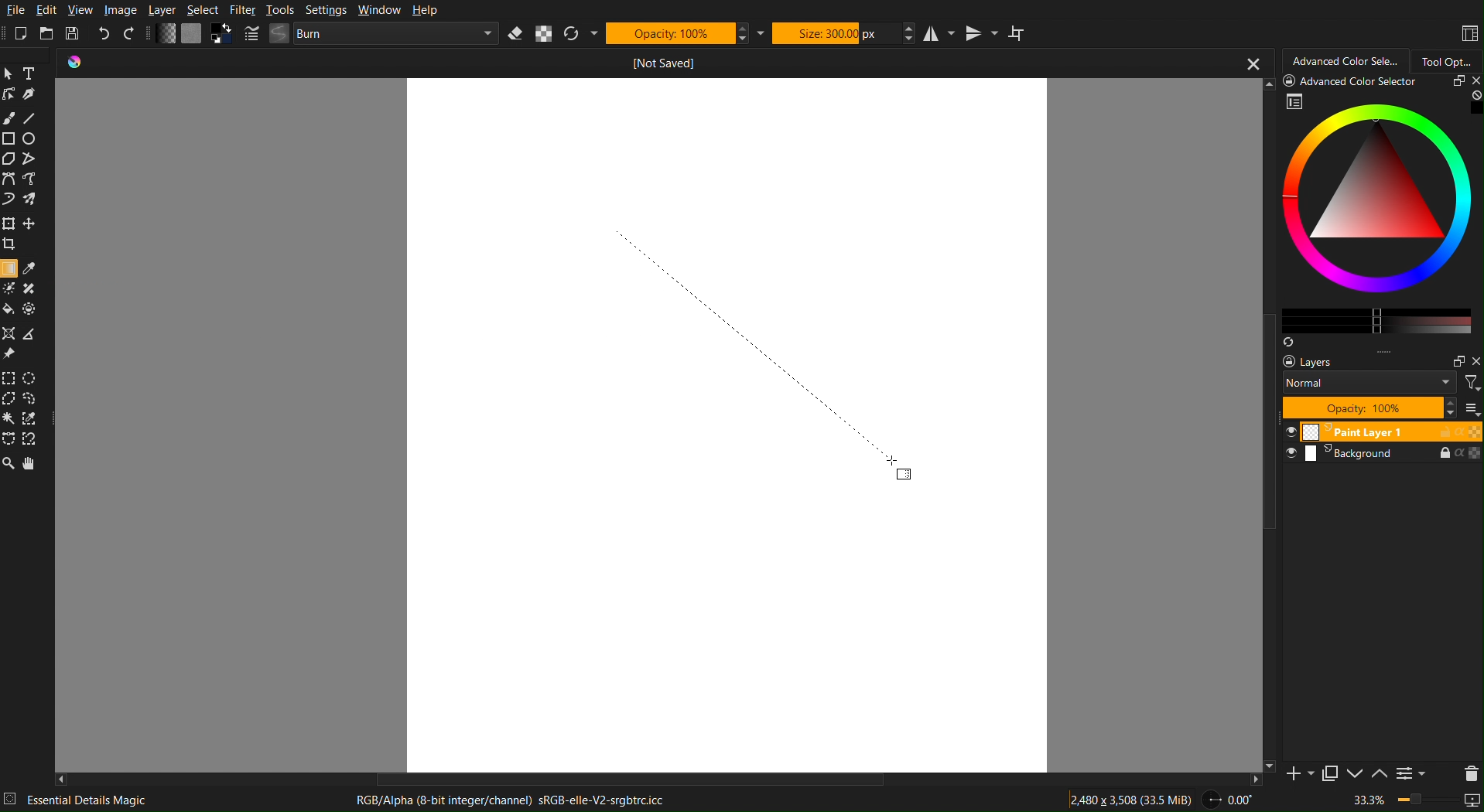  I want to click on Color Settings, so click(192, 36).